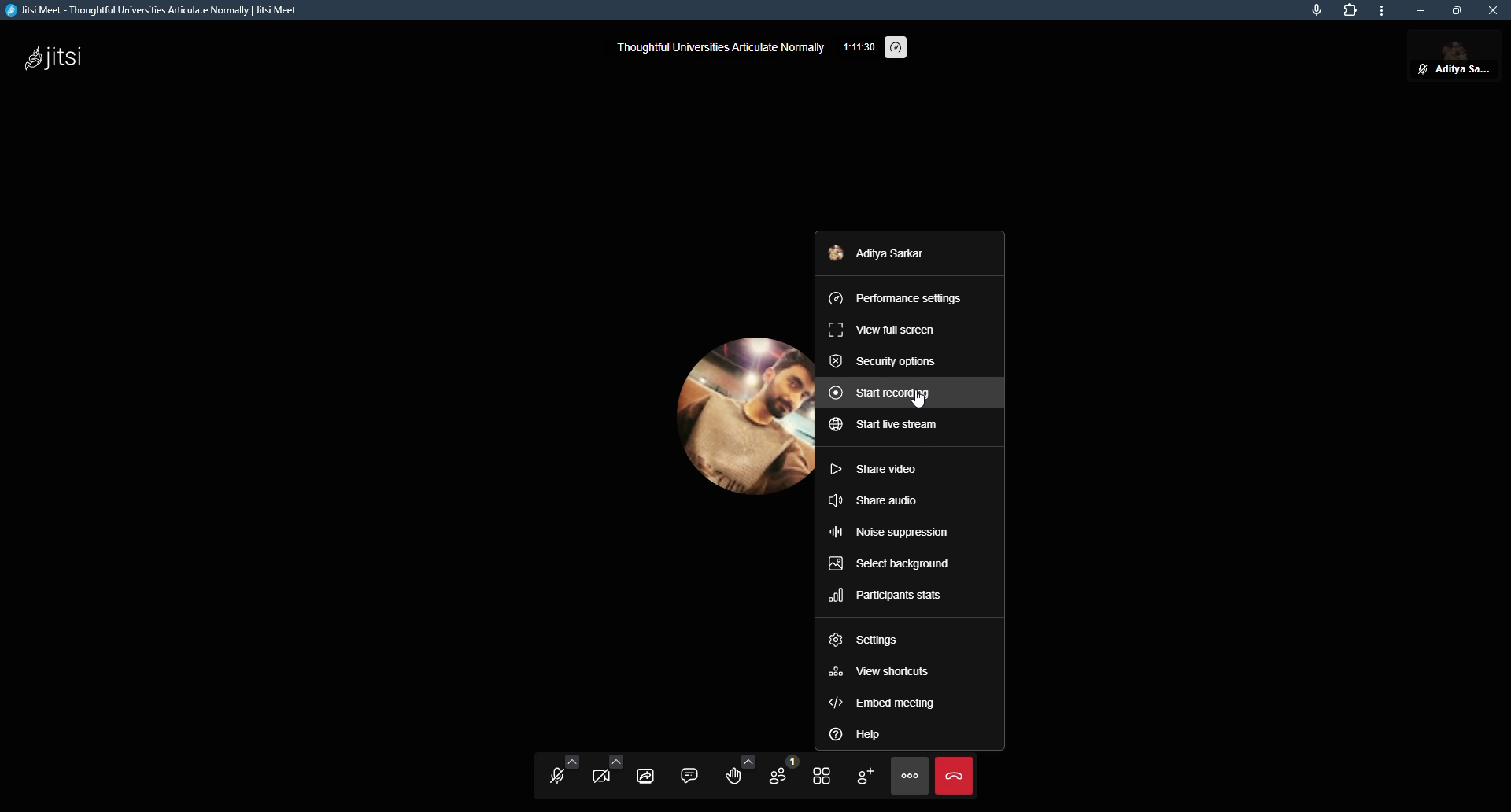 The image size is (1511, 812). What do you see at coordinates (1456, 55) in the screenshot?
I see `aditya sarkar` at bounding box center [1456, 55].